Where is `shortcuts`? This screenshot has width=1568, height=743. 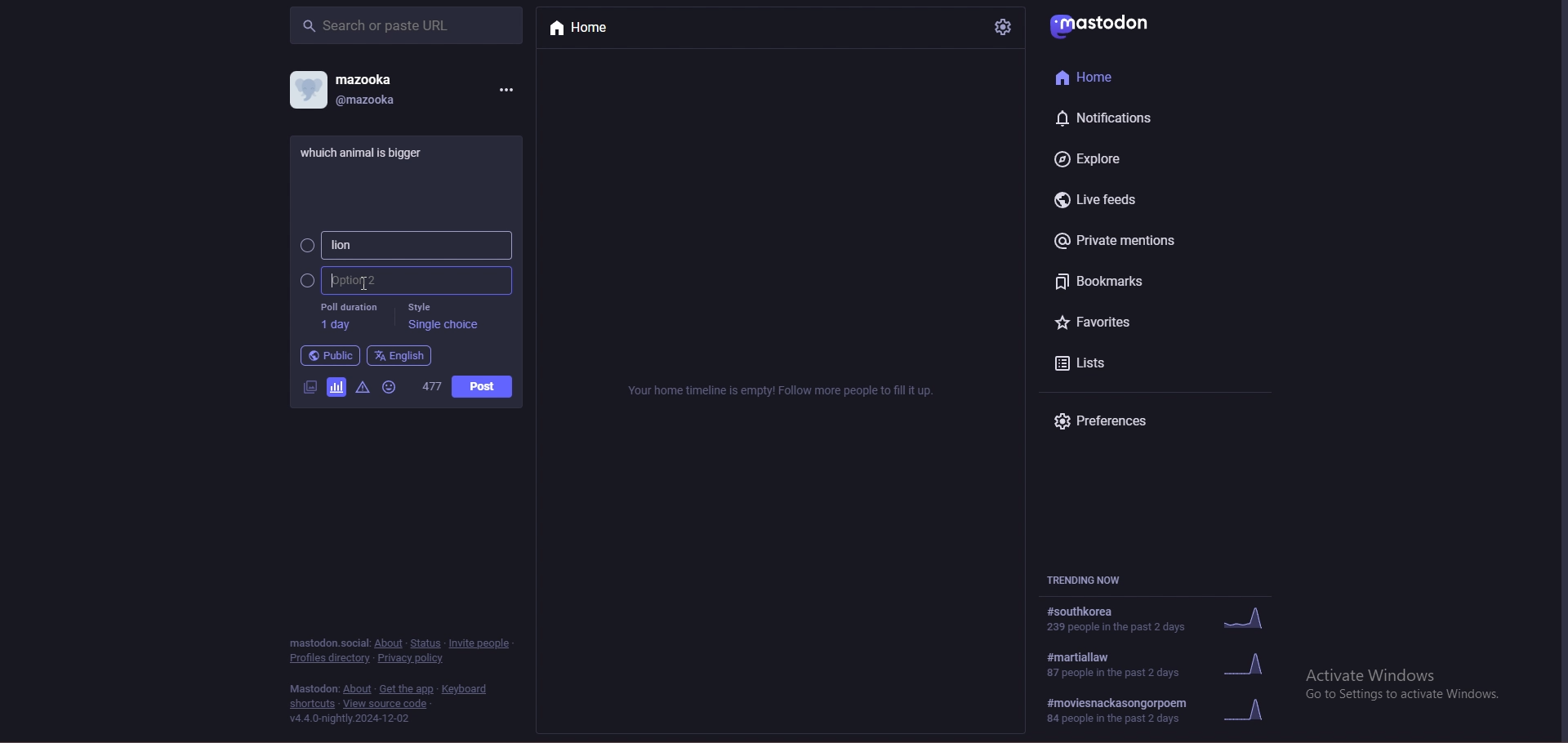
shortcuts is located at coordinates (313, 704).